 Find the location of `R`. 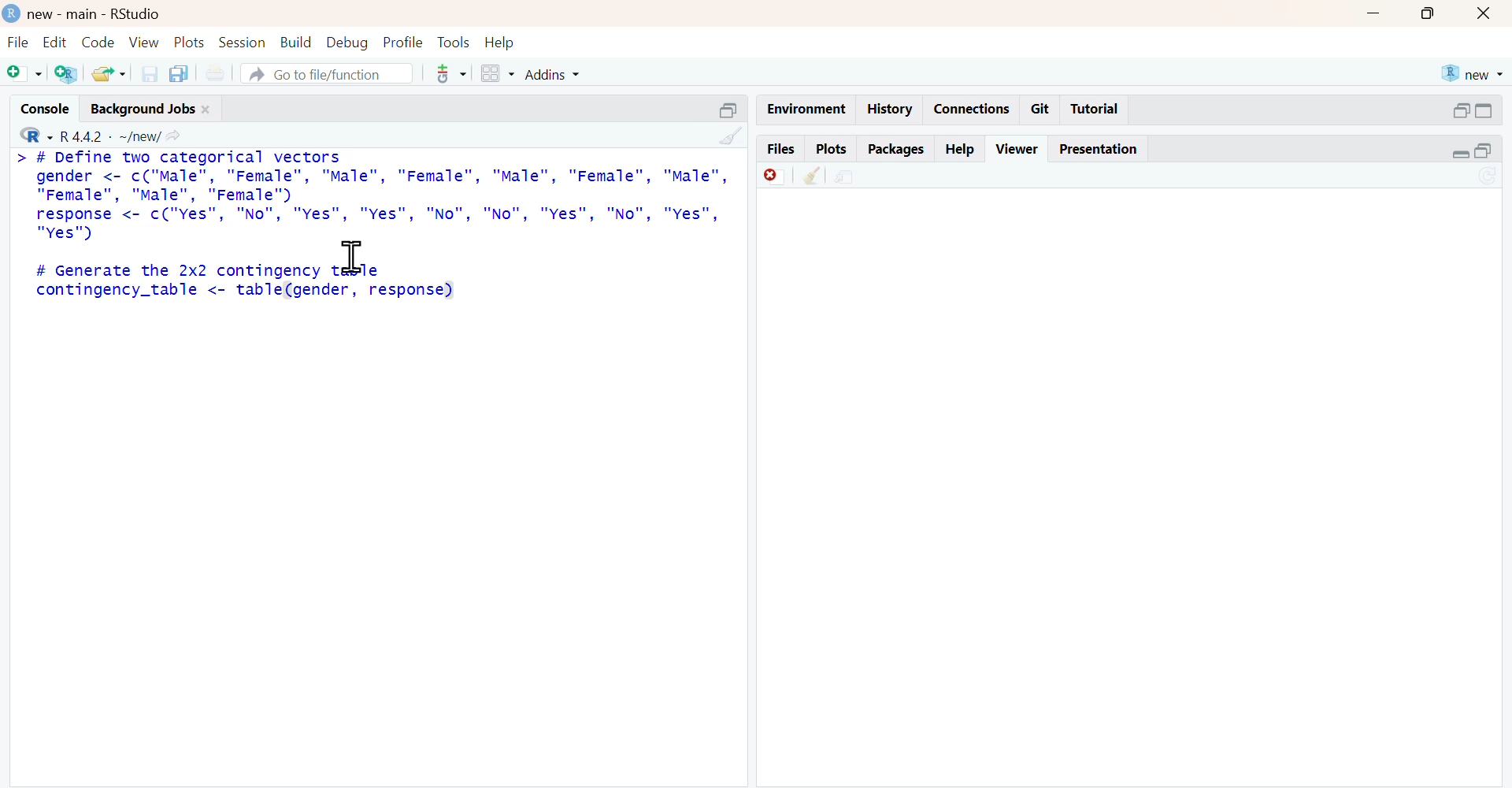

R is located at coordinates (37, 135).